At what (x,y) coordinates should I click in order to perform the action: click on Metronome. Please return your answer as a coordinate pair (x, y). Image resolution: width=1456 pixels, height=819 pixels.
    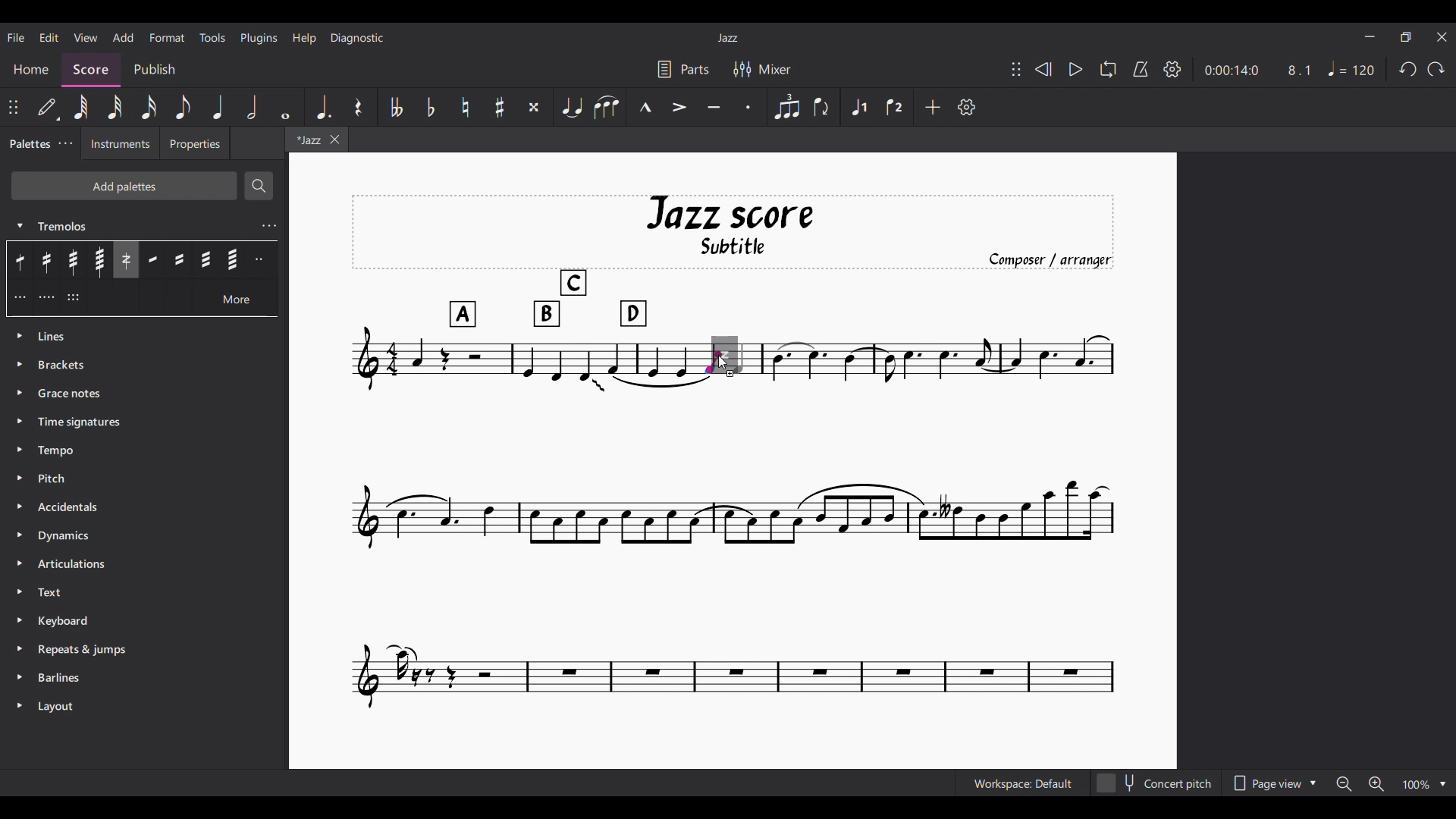
    Looking at the image, I should click on (1141, 69).